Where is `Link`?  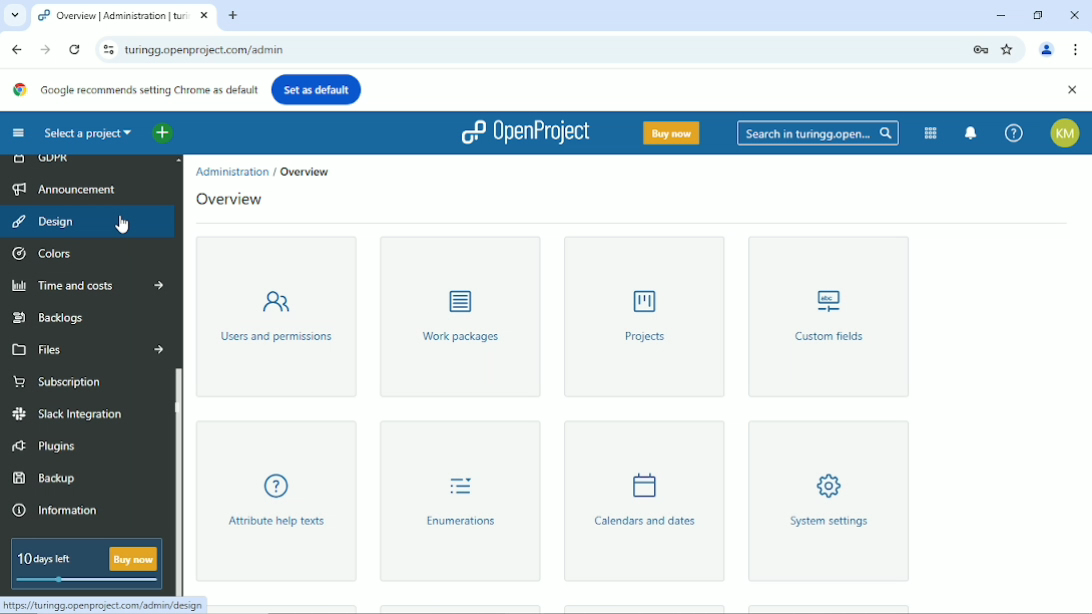 Link is located at coordinates (103, 606).